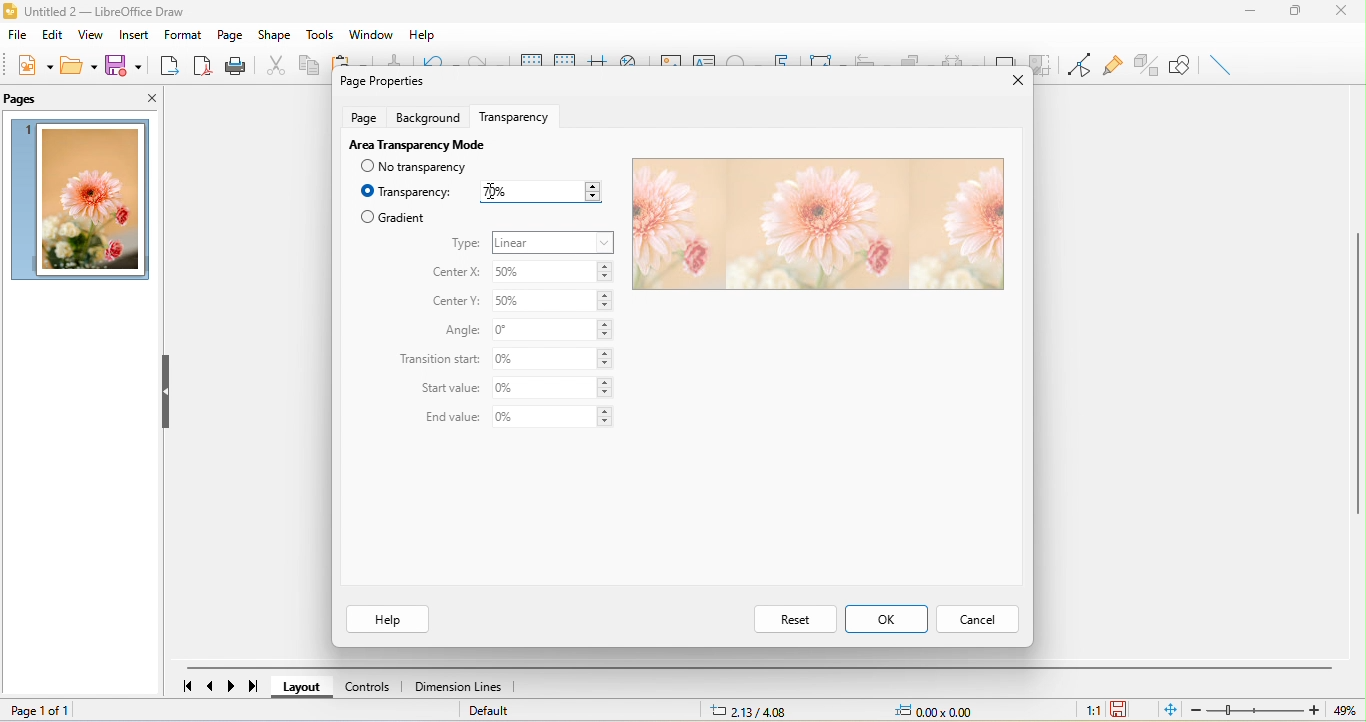 Image resolution: width=1366 pixels, height=722 pixels. Describe the element at coordinates (77, 65) in the screenshot. I see `open` at that location.